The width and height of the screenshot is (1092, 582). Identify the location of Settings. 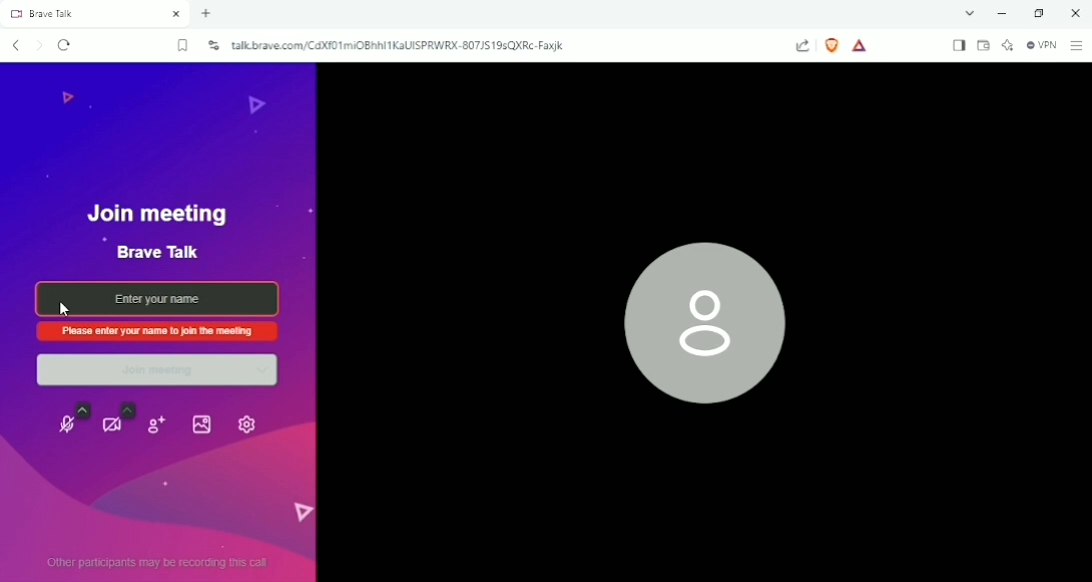
(246, 426).